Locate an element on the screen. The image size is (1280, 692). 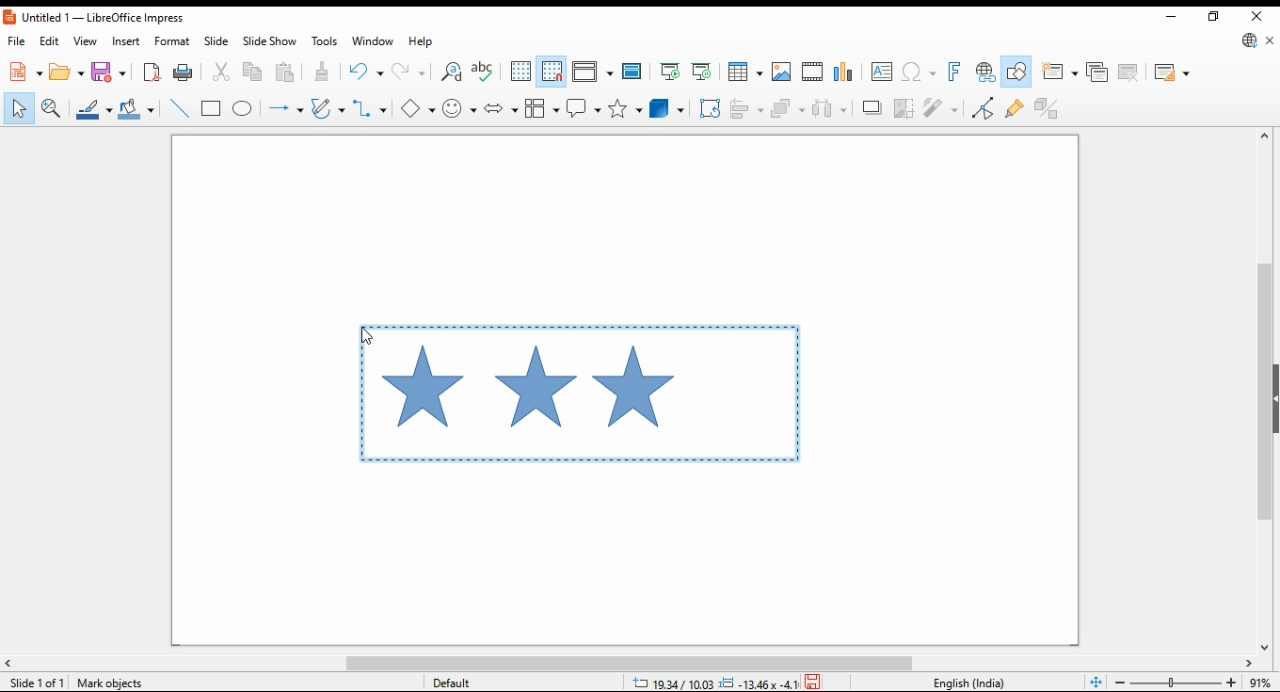
curves and polygons is located at coordinates (328, 107).